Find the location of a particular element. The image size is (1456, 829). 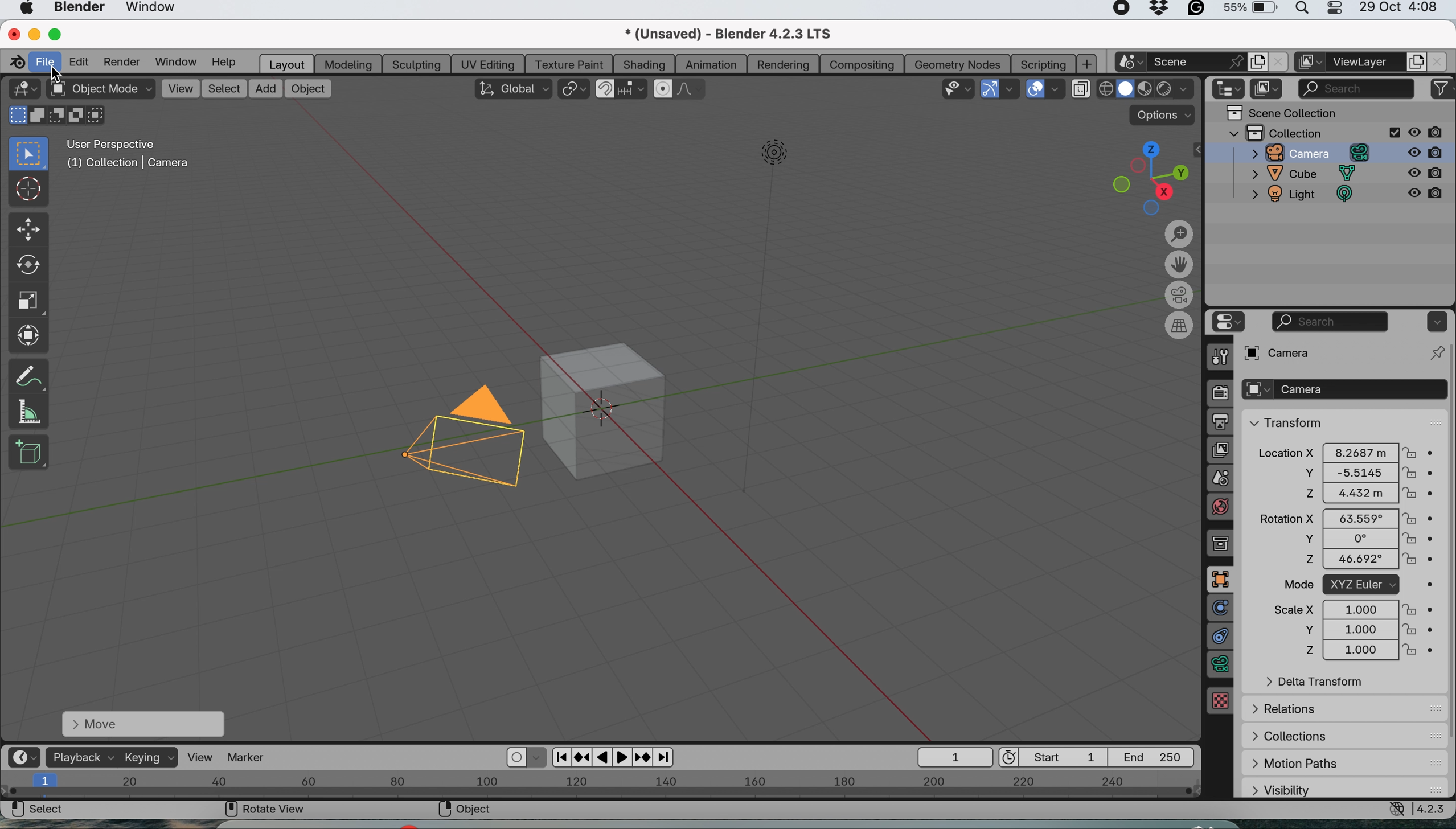

1 is located at coordinates (956, 758).